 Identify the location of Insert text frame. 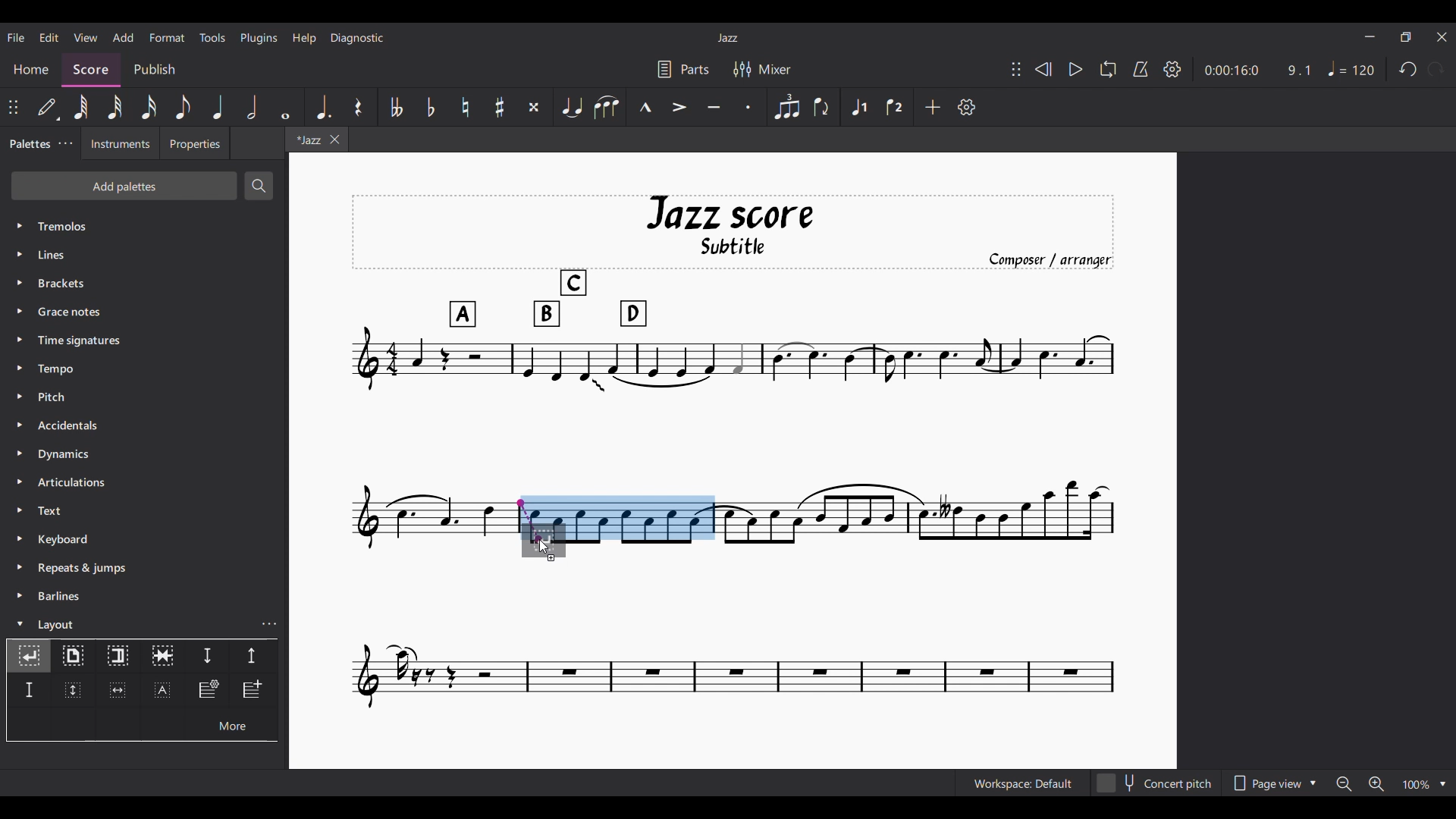
(162, 690).